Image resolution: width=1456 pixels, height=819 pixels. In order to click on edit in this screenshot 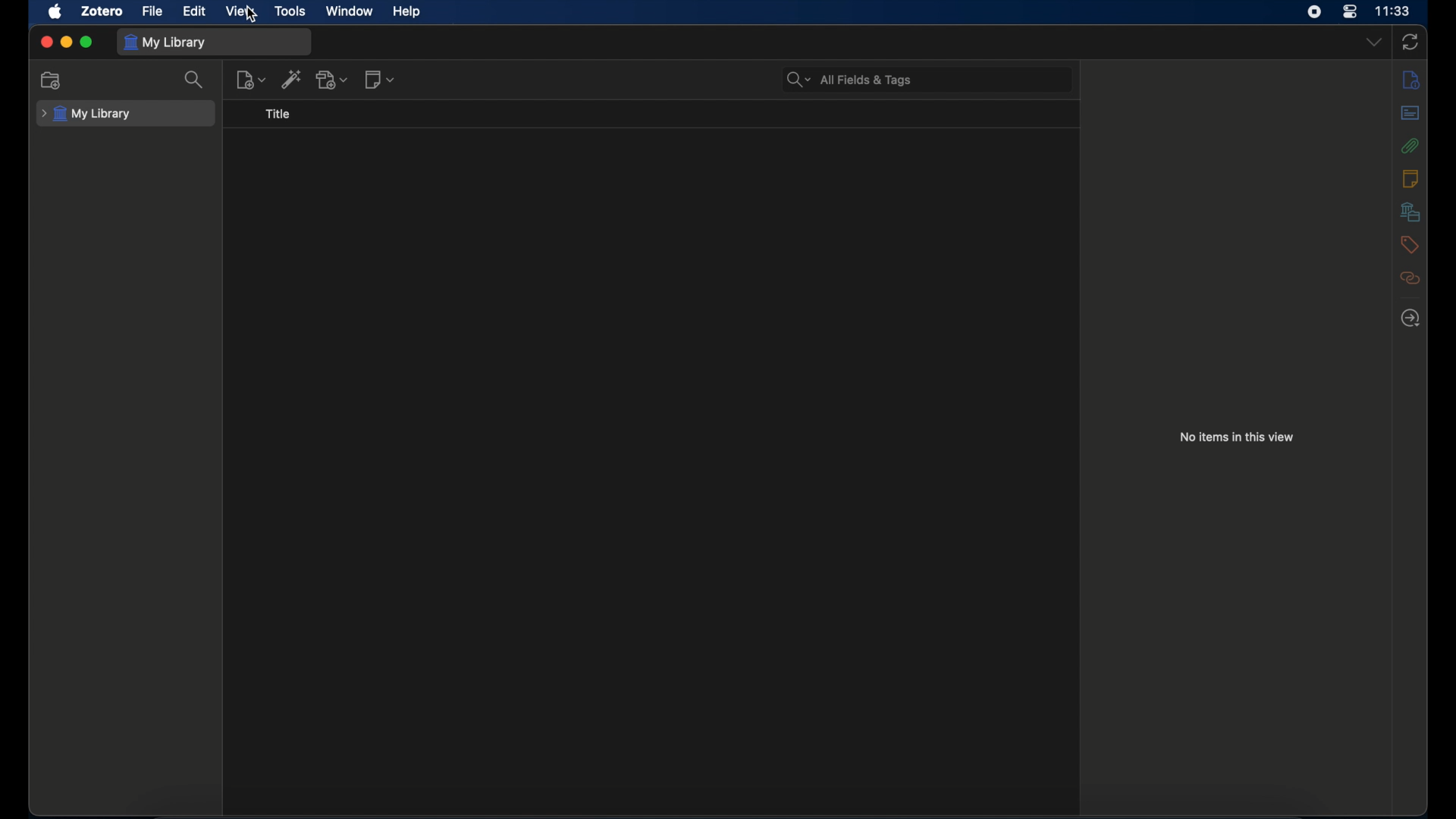, I will do `click(196, 12)`.